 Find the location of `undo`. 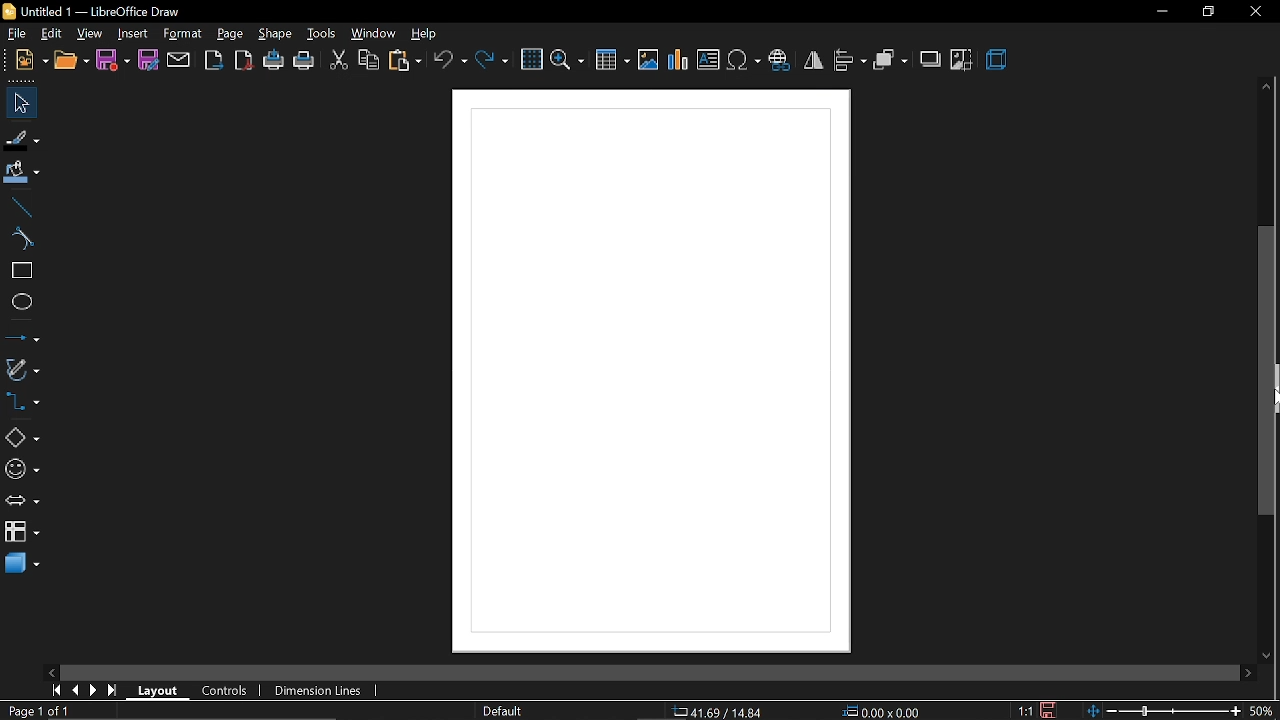

undo is located at coordinates (450, 61).